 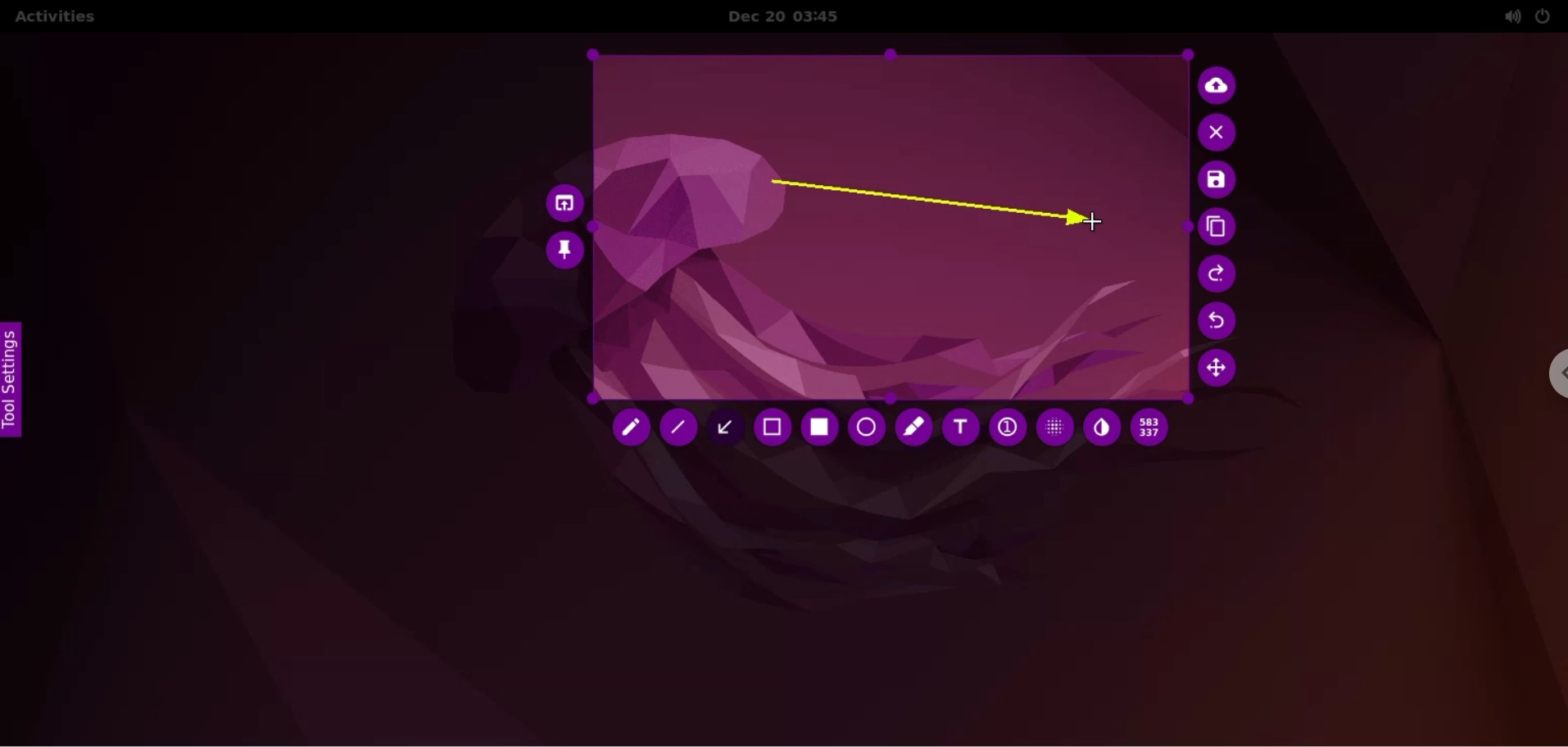 I want to click on rectangle tool, so click(x=816, y=428).